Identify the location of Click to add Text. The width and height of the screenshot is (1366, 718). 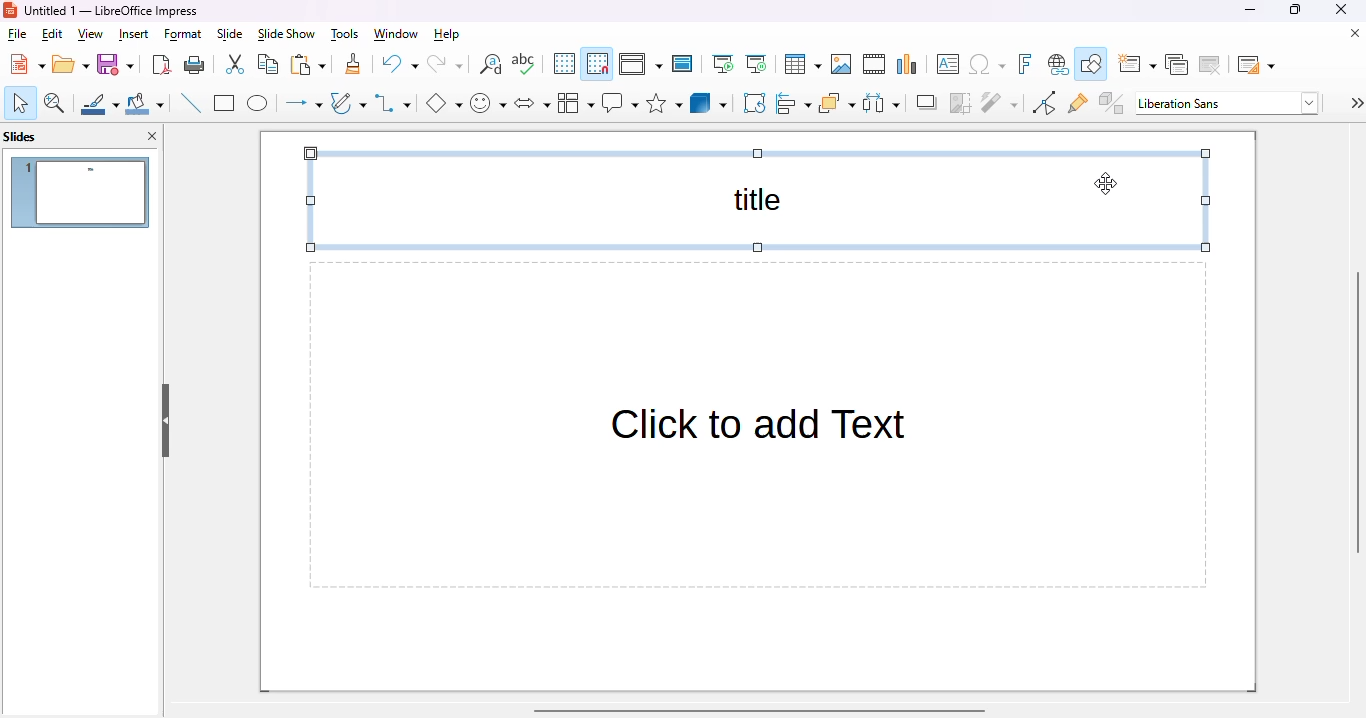
(757, 476).